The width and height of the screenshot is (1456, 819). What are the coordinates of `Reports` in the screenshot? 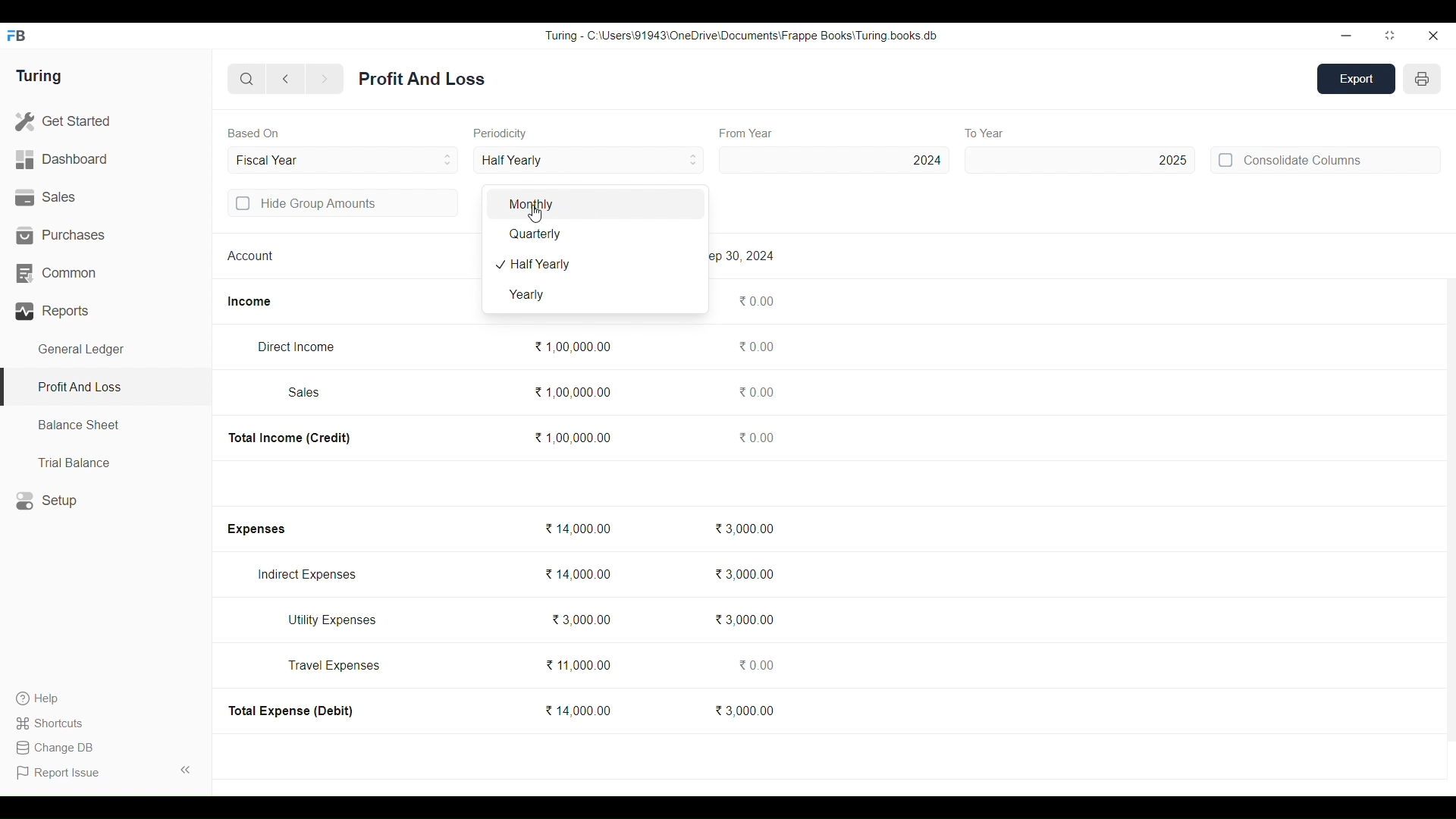 It's located at (106, 311).